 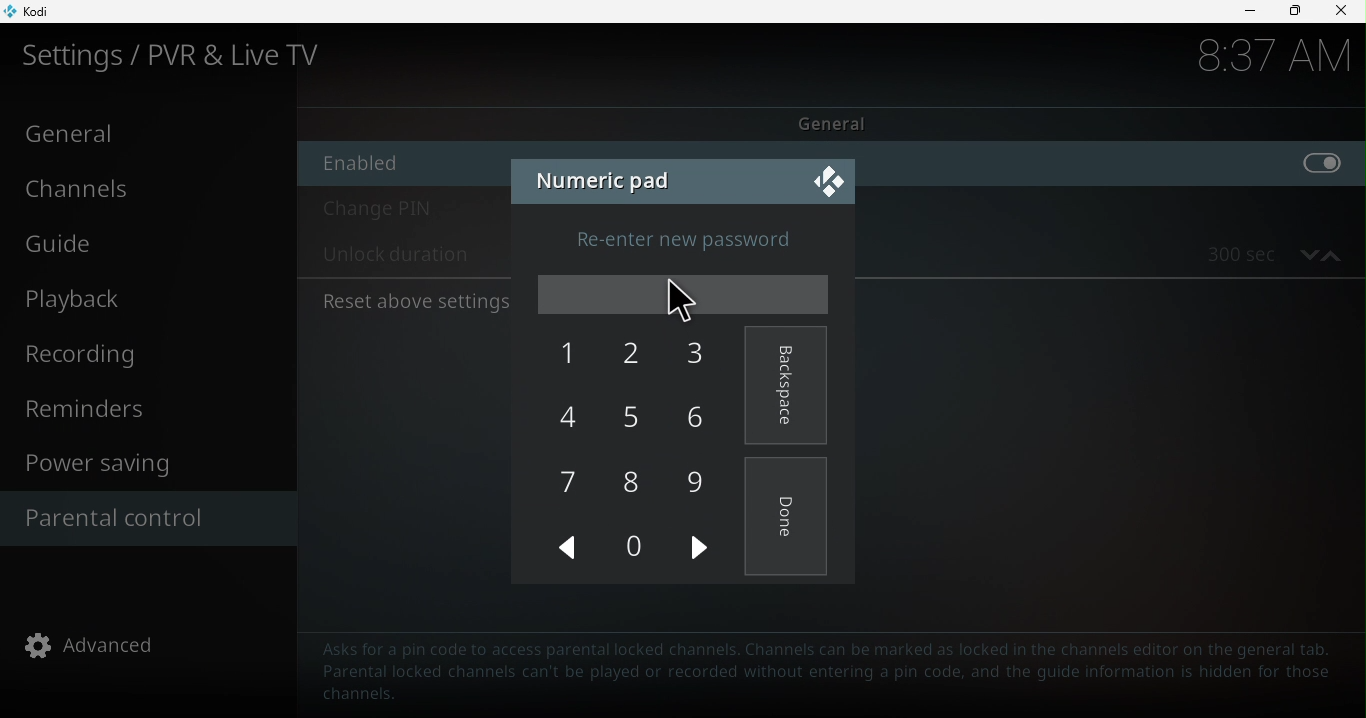 What do you see at coordinates (1344, 13) in the screenshot?
I see `close` at bounding box center [1344, 13].